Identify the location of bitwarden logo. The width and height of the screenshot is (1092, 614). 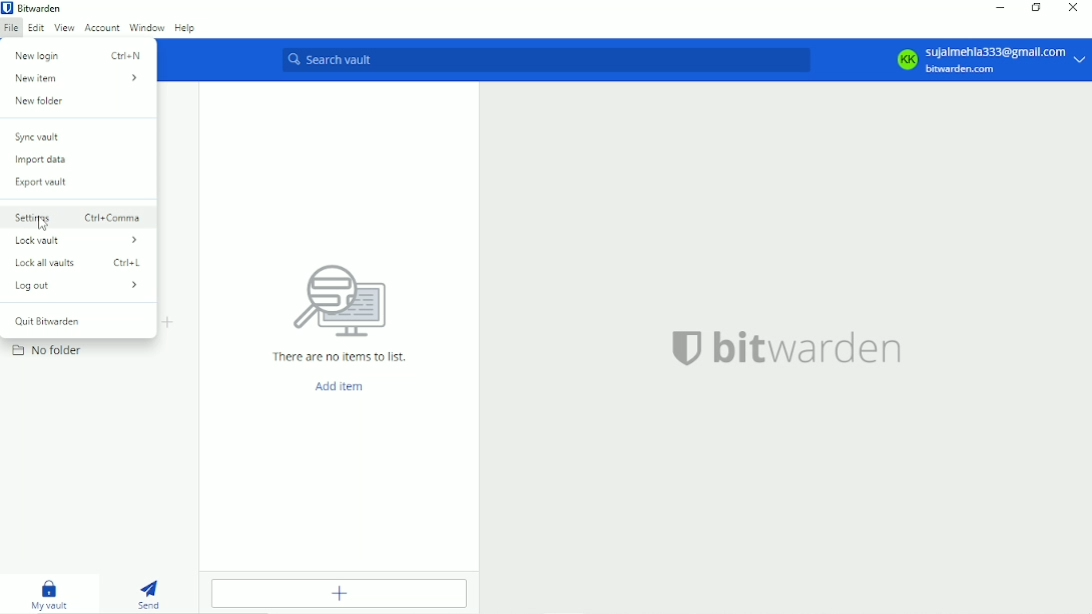
(801, 347).